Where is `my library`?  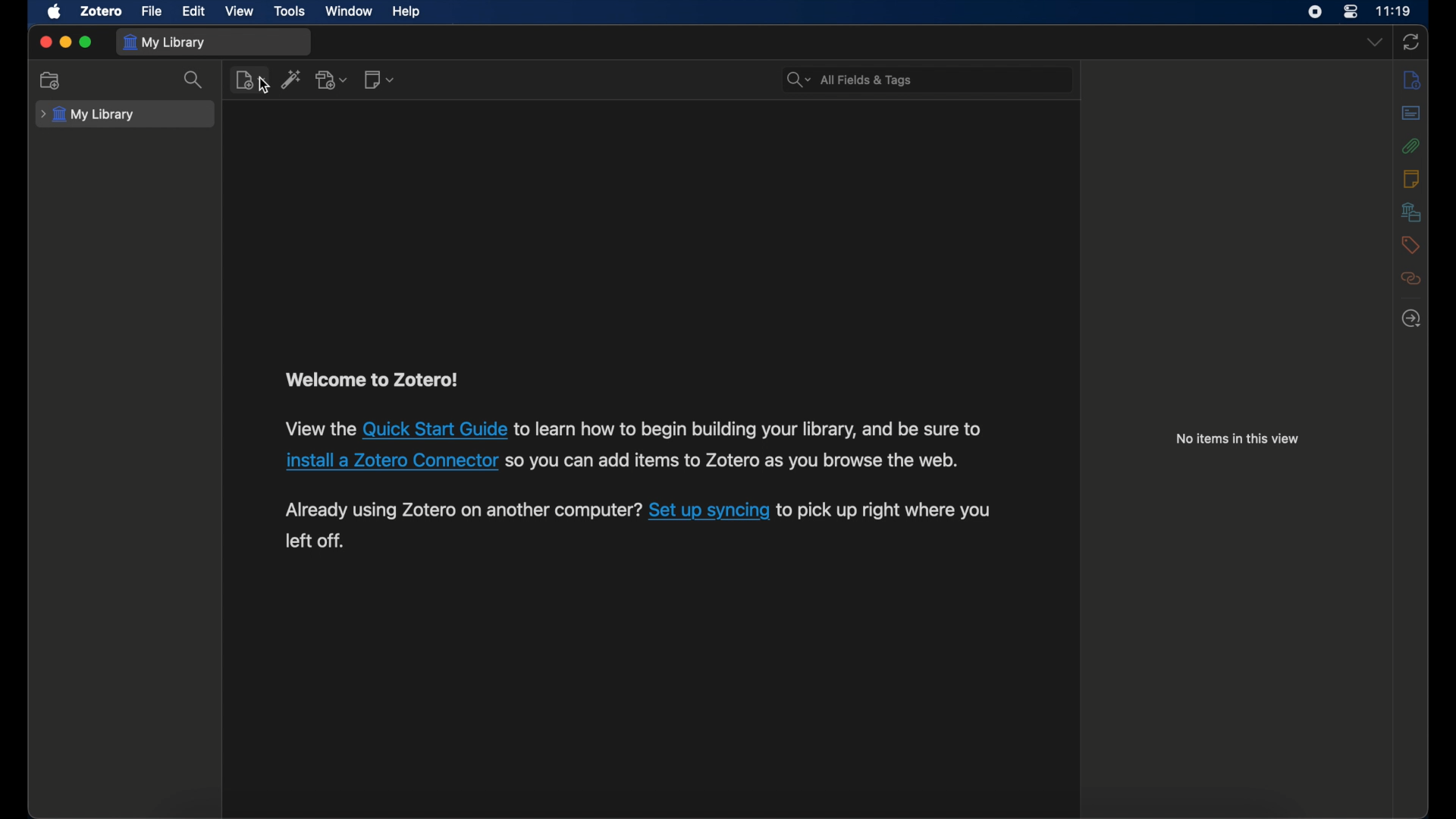
my library is located at coordinates (87, 115).